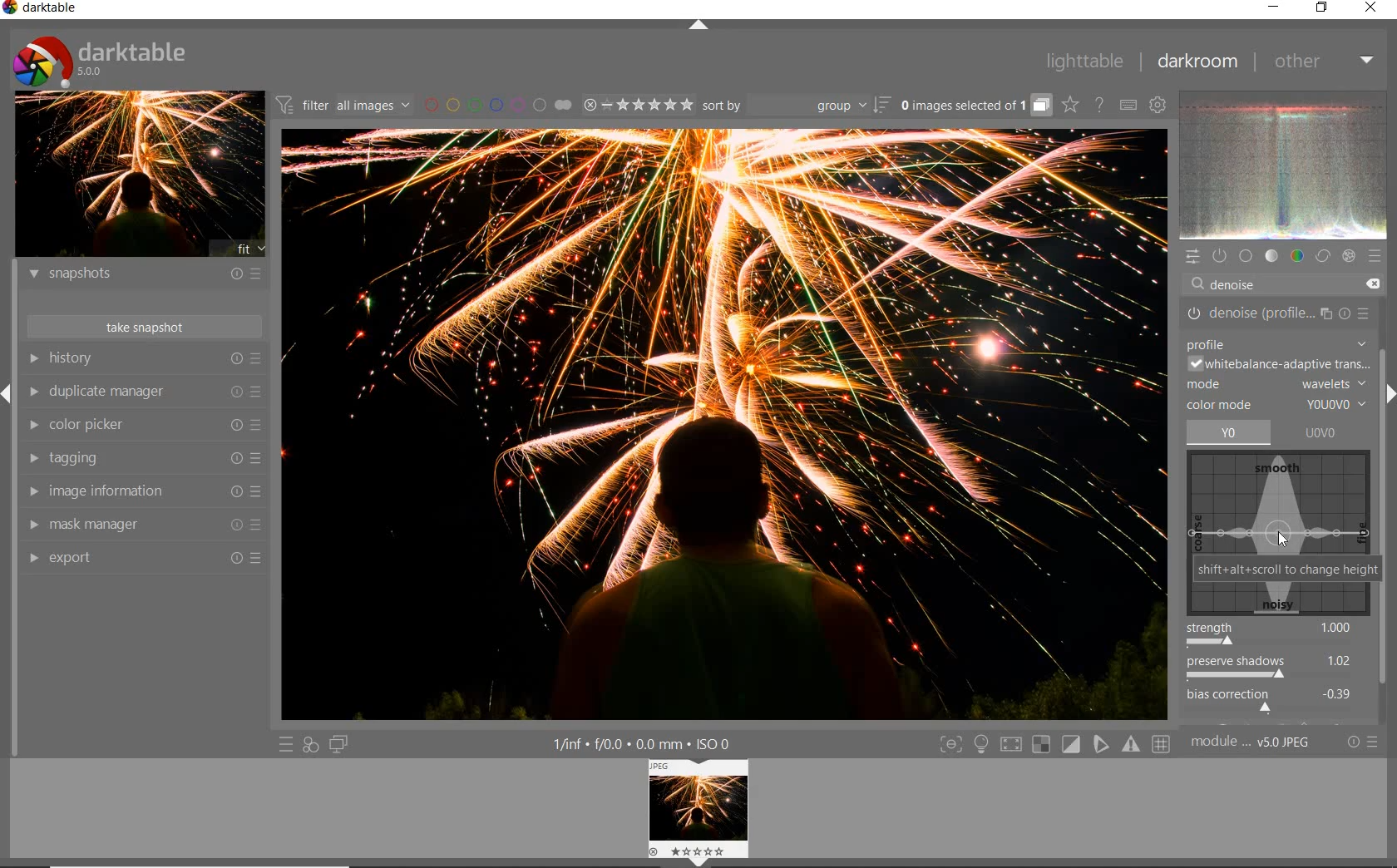 This screenshot has height=868, width=1397. Describe the element at coordinates (146, 360) in the screenshot. I see `history` at that location.